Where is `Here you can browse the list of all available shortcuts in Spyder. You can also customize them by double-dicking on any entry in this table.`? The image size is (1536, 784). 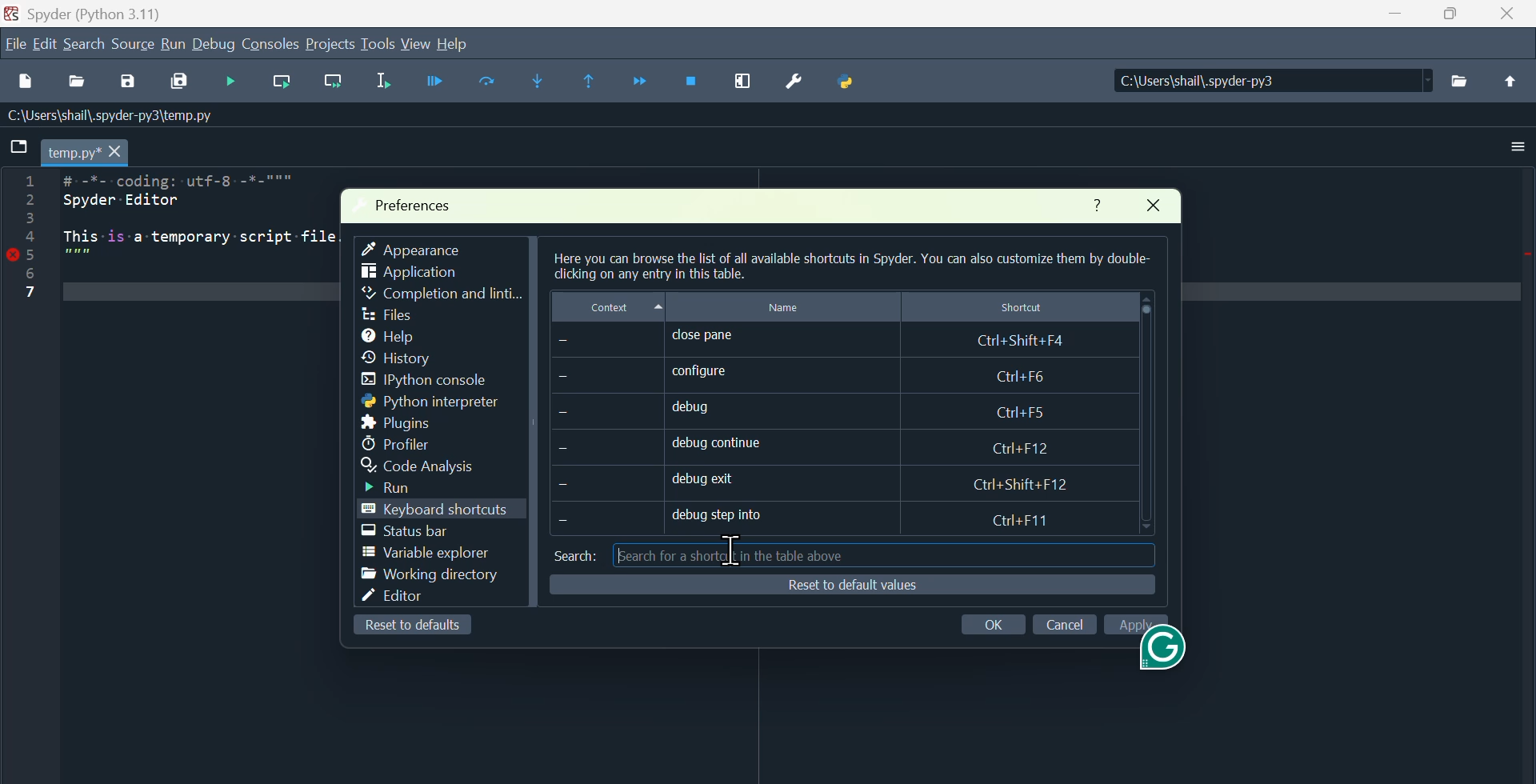 Here you can browse the list of all available shortcuts in Spyder. You can also customize them by double-dicking on any entry in this table. is located at coordinates (848, 267).